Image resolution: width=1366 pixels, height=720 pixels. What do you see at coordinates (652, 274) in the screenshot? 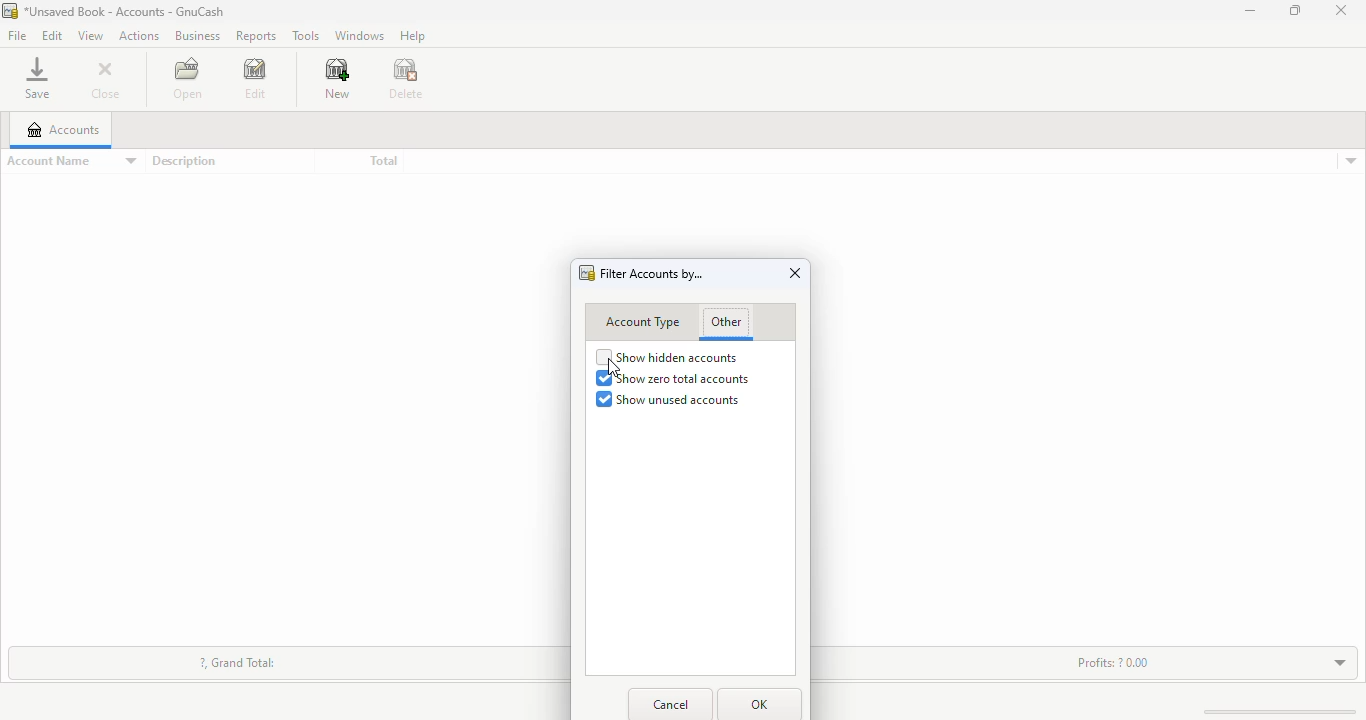
I see `filter accounts by` at bounding box center [652, 274].